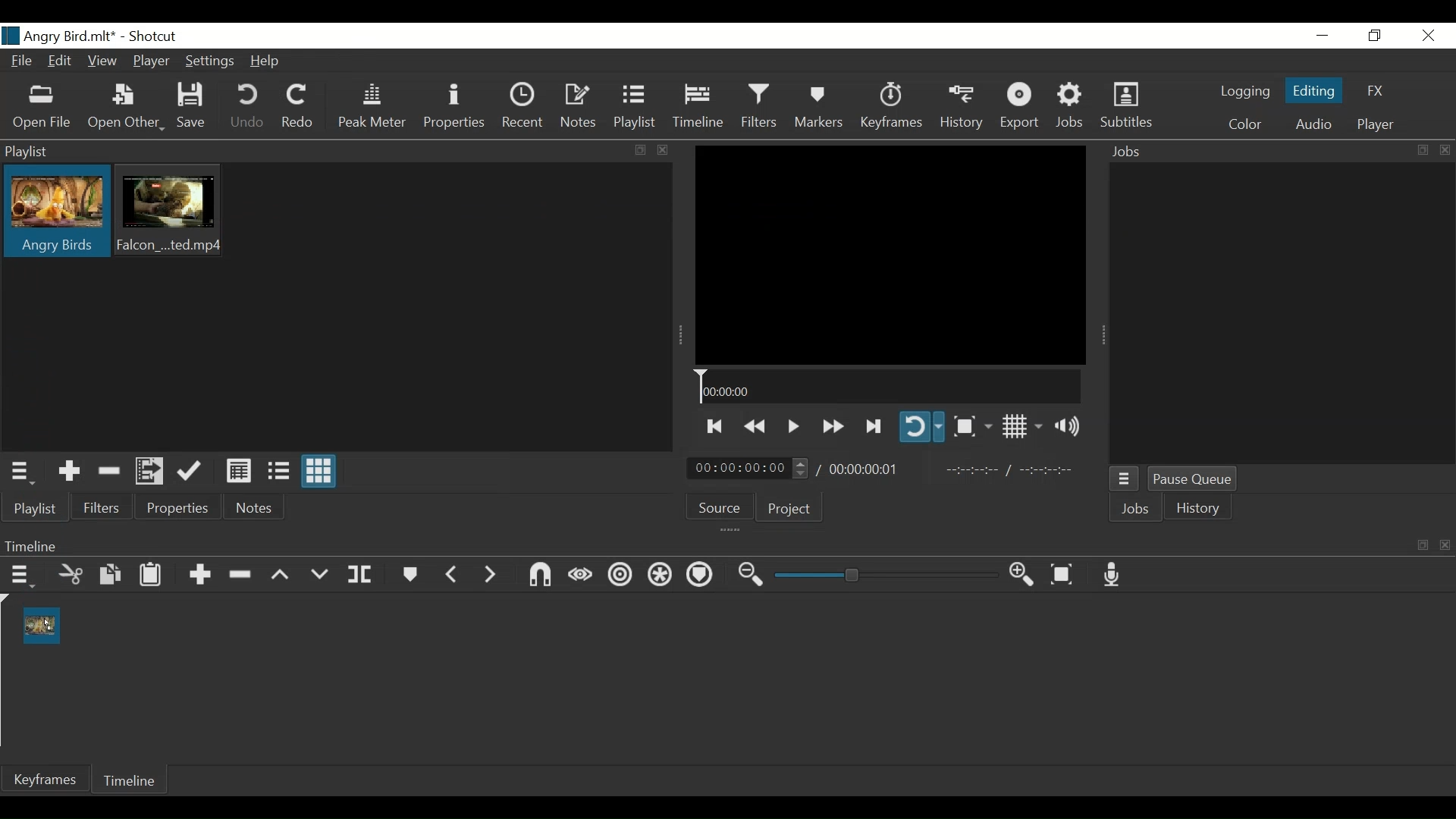 The height and width of the screenshot is (819, 1456). I want to click on History, so click(964, 108).